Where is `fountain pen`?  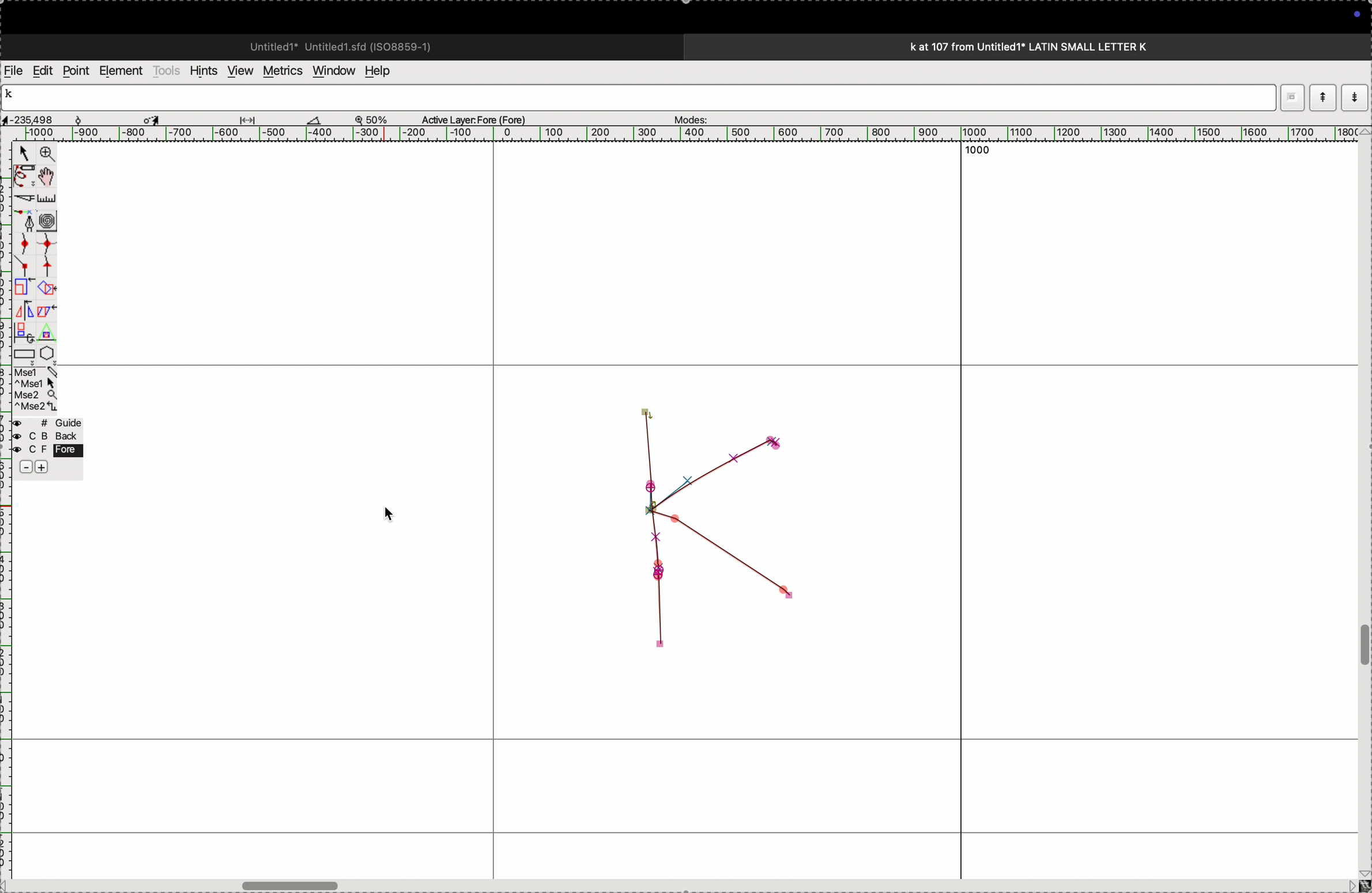 fountain pen is located at coordinates (28, 221).